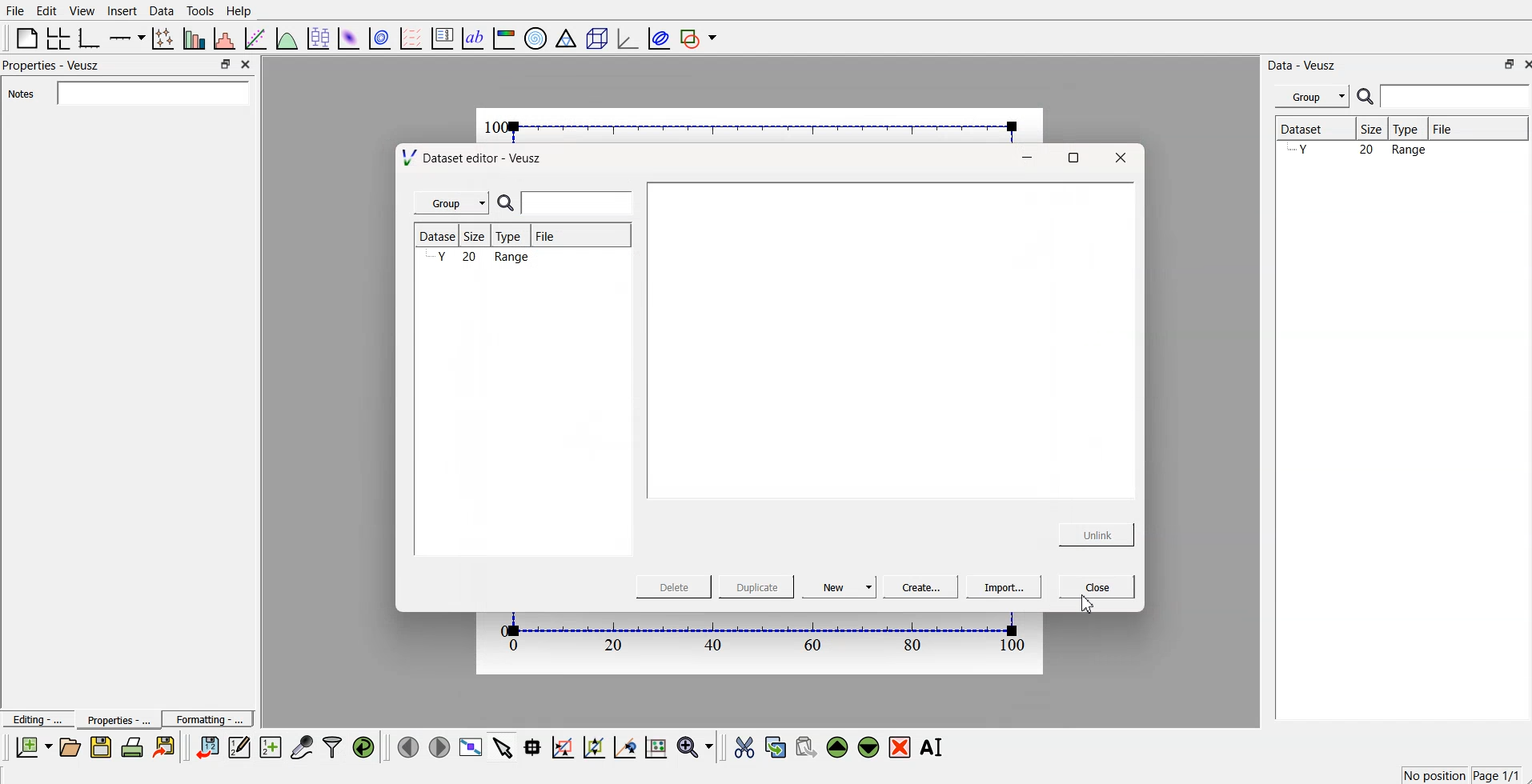  What do you see at coordinates (36, 718) in the screenshot?
I see `Editing` at bounding box center [36, 718].